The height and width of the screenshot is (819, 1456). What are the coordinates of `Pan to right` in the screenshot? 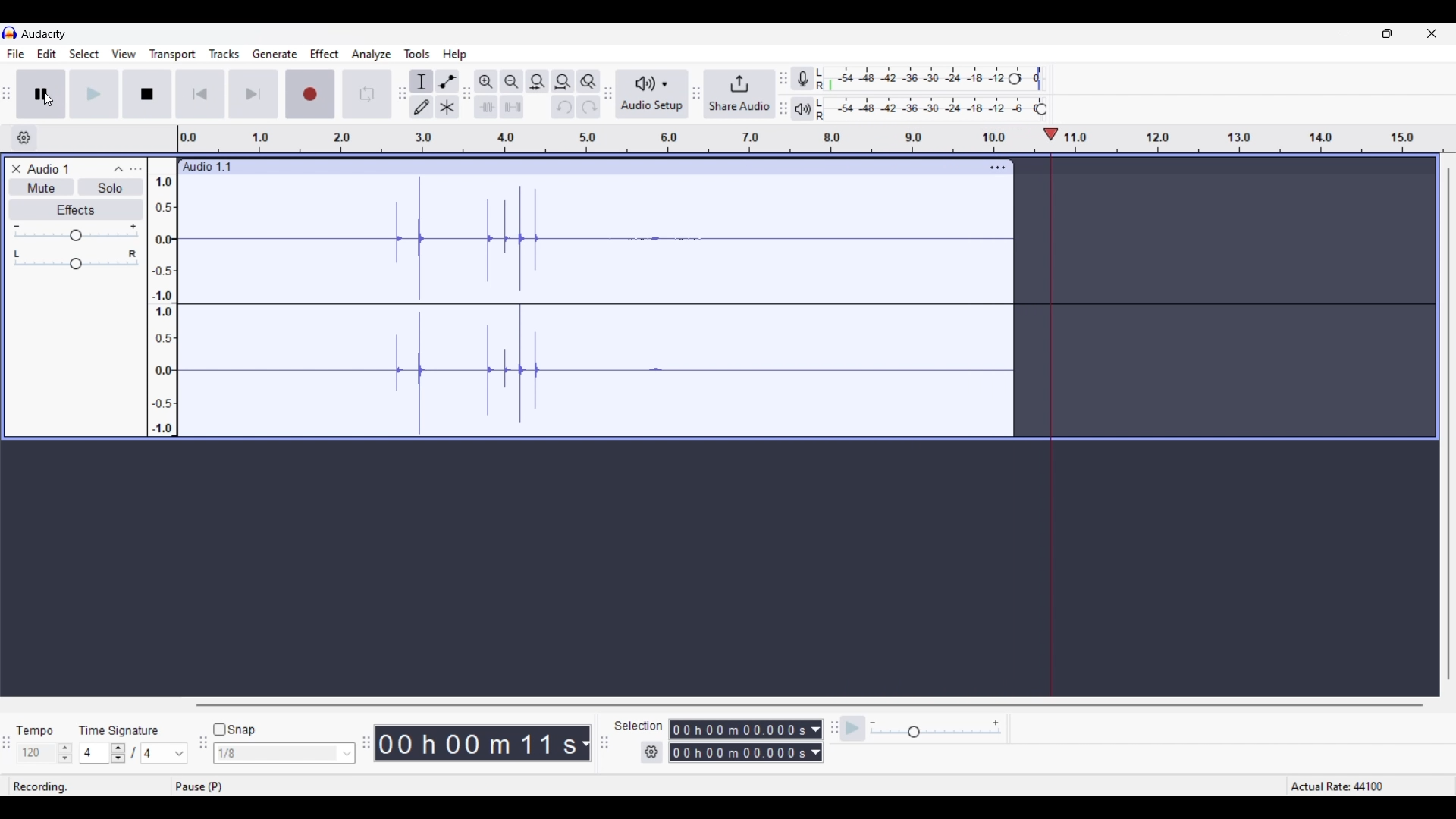 It's located at (133, 254).